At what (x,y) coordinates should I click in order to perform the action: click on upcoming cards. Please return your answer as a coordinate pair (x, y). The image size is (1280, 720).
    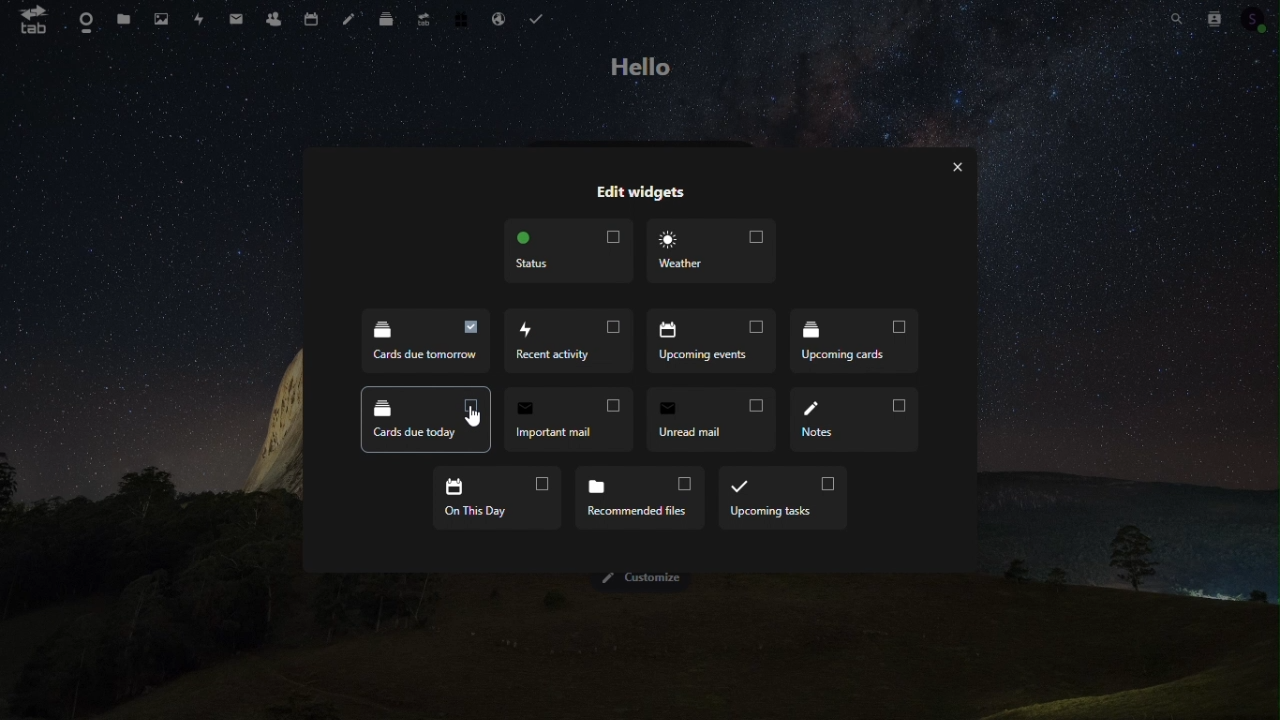
    Looking at the image, I should click on (854, 339).